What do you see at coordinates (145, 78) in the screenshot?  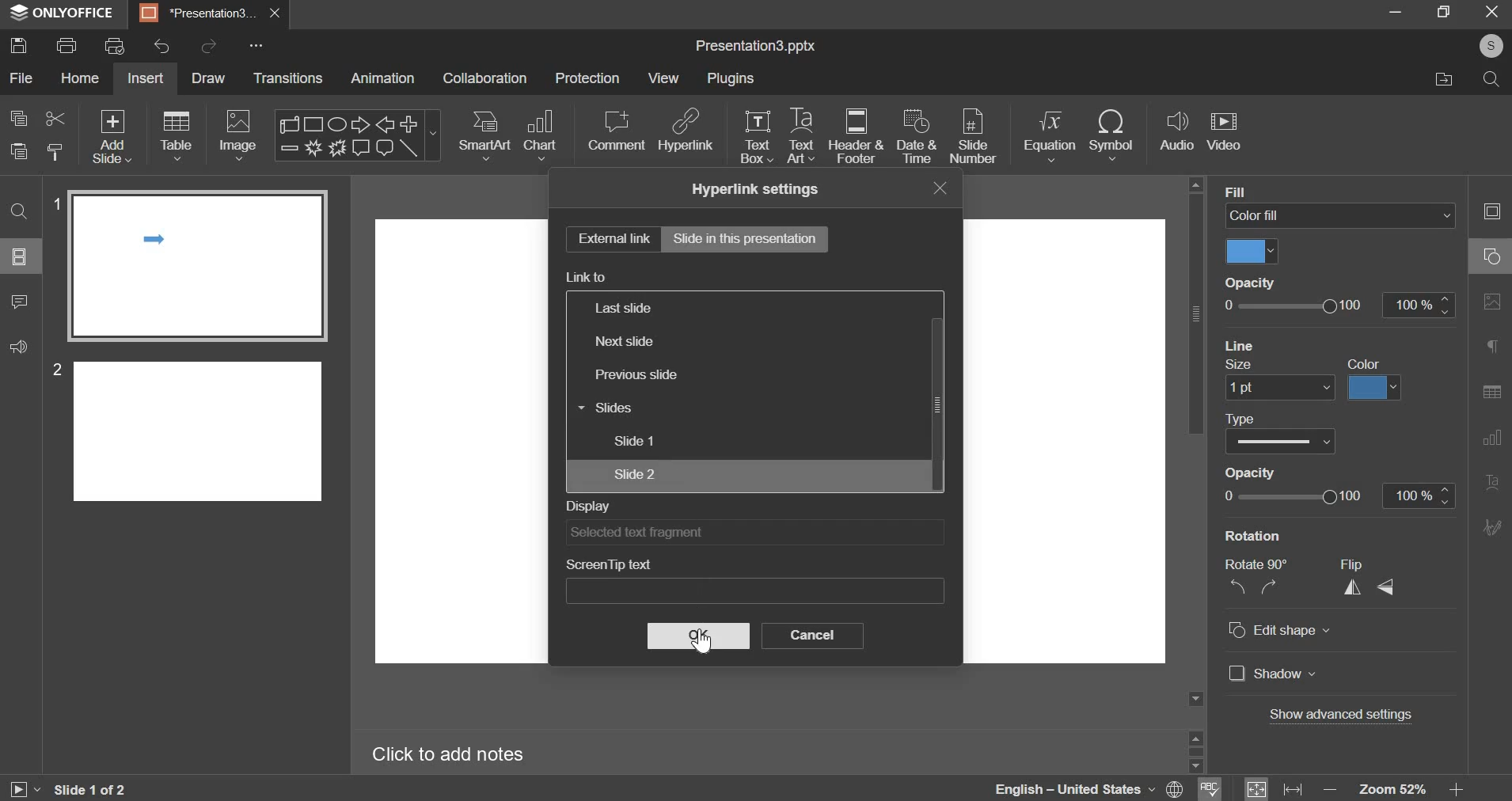 I see `insert` at bounding box center [145, 78].